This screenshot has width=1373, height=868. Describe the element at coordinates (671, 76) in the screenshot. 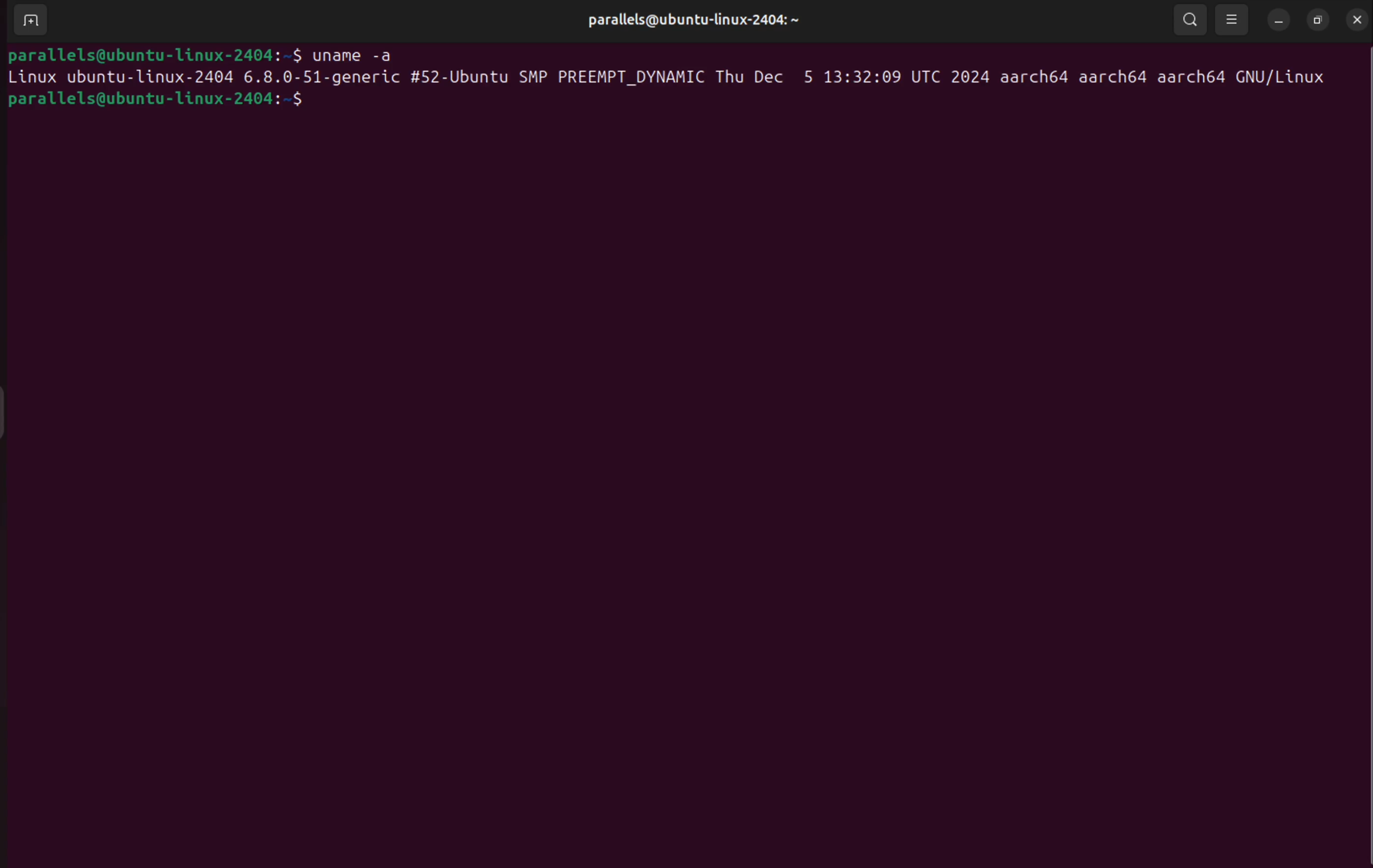

I see `Linux ubuntu-linux-2404 6.8.0-51-generic #52-Ubuntu SMP PREEMPT_DYNAMIC Thu Dec 5 13:32:09 UTC 2024 aarch64 aarch64 aarch64 GNU/Linux` at that location.